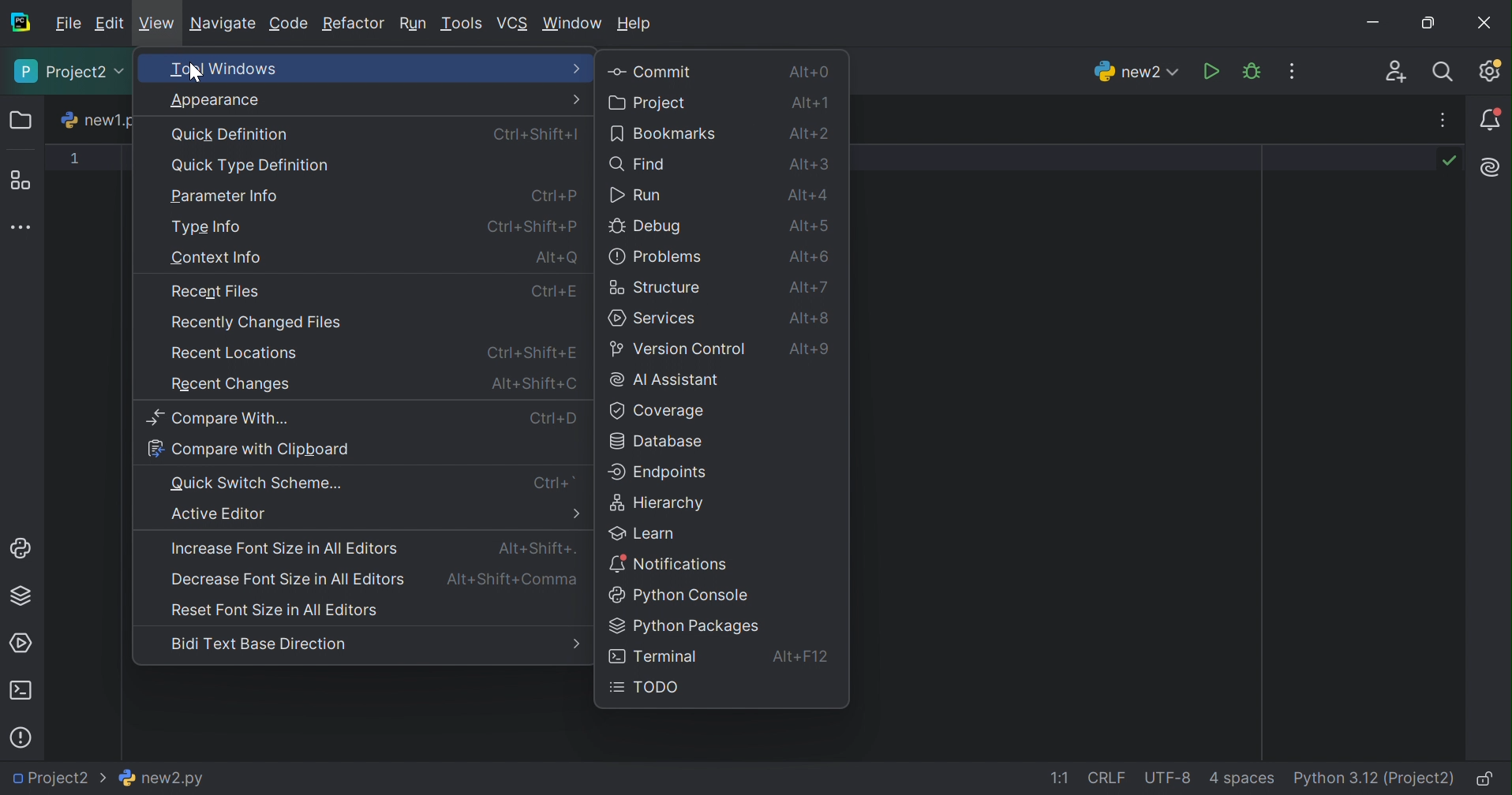 The height and width of the screenshot is (795, 1512). Describe the element at coordinates (22, 179) in the screenshot. I see `` at that location.